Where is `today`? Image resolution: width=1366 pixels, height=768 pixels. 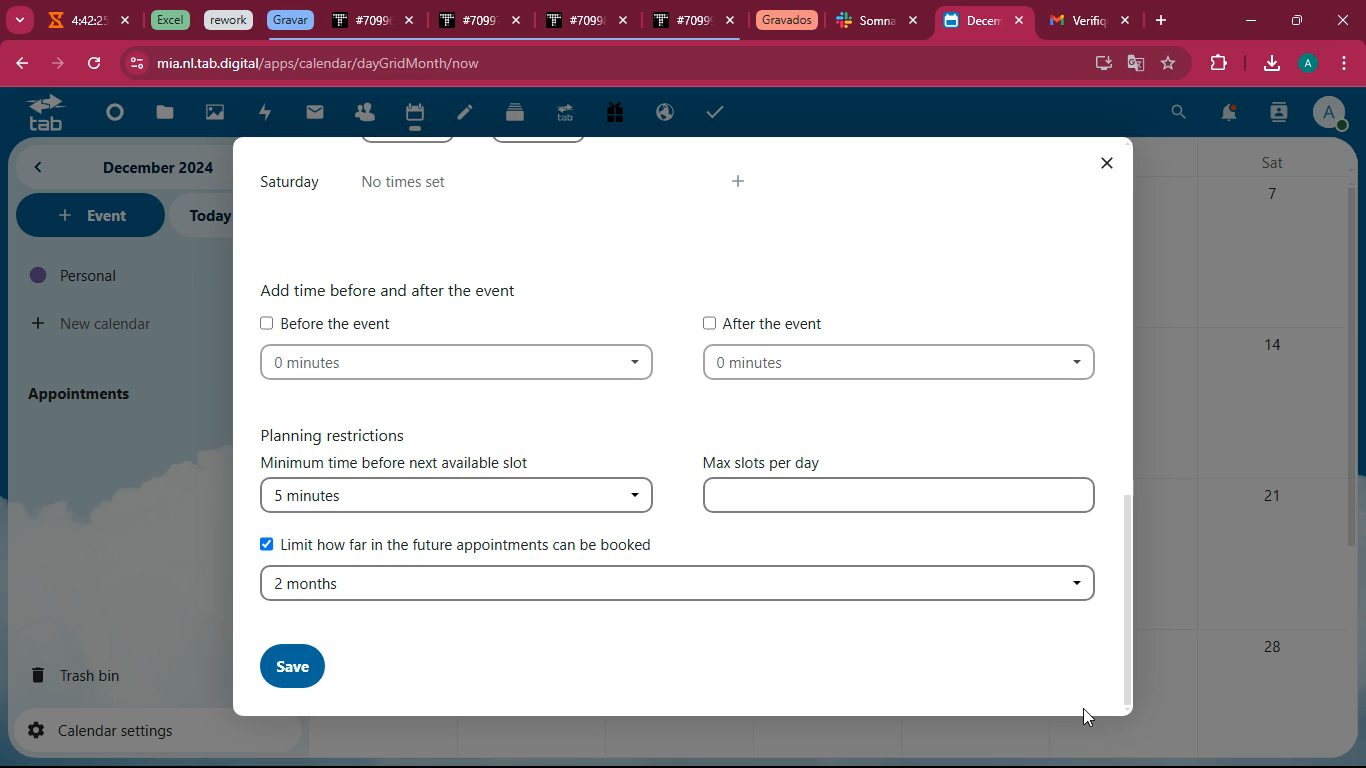
today is located at coordinates (207, 216).